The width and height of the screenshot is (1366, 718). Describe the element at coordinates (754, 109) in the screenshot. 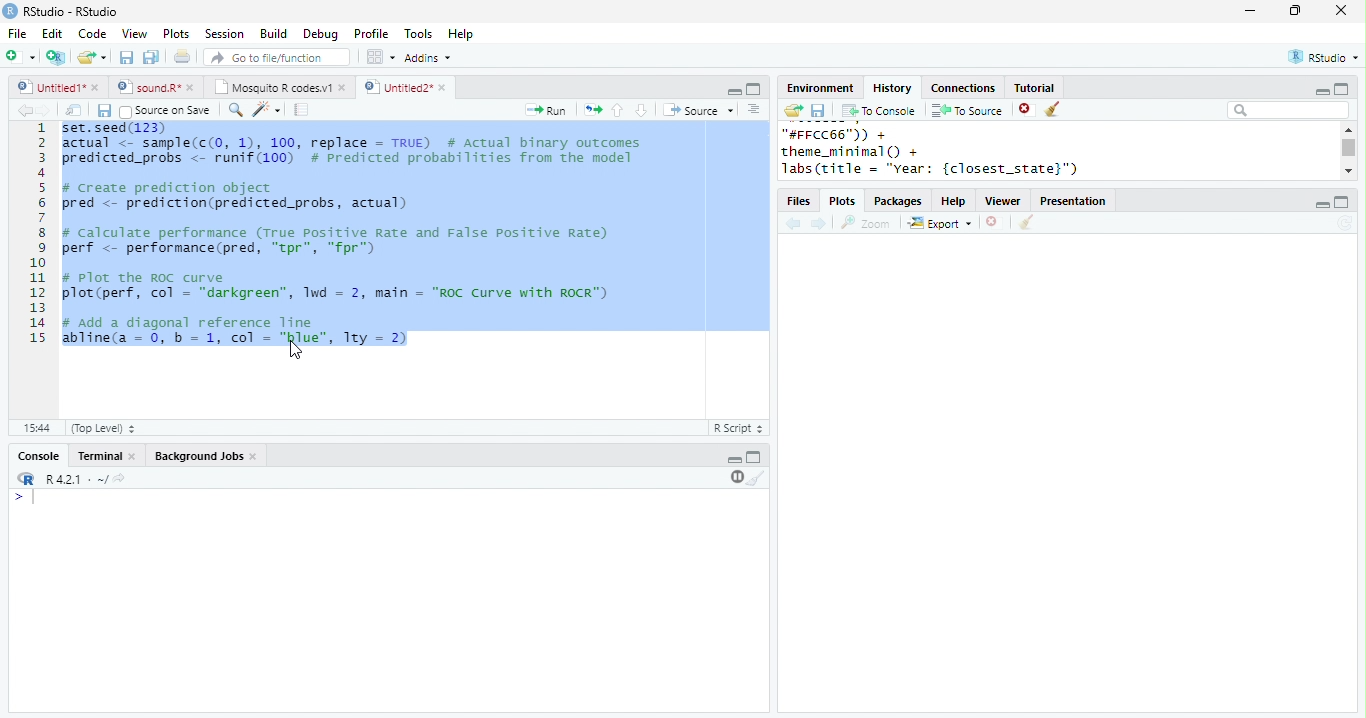

I see `options` at that location.